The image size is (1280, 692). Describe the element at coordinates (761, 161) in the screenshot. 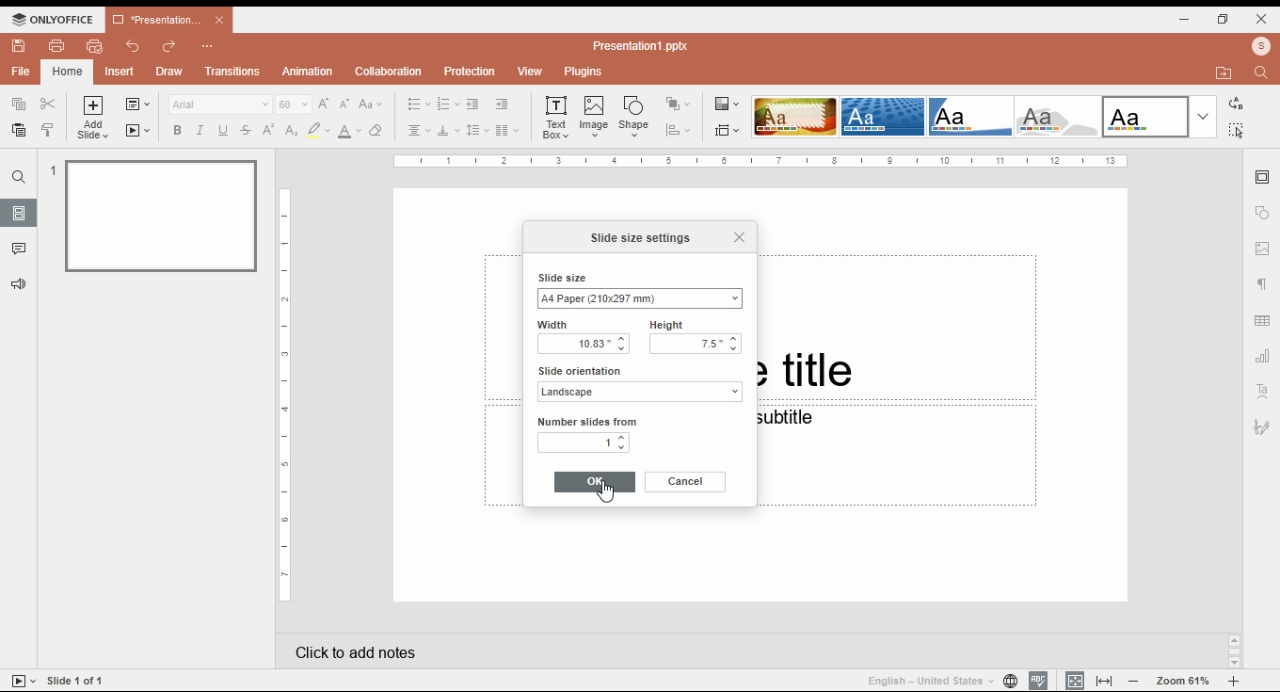

I see `Page Scale` at that location.